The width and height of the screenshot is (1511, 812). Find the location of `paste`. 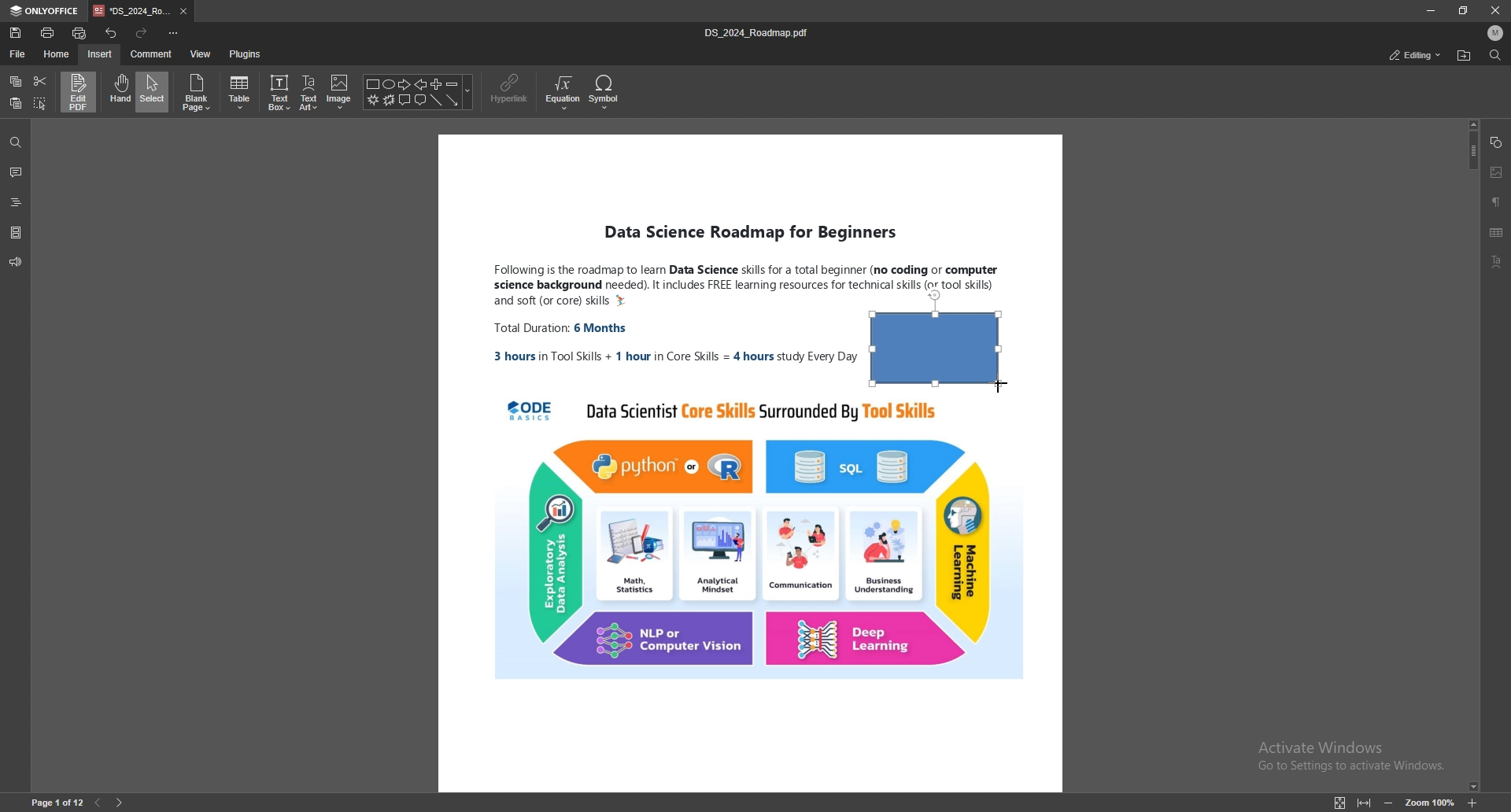

paste is located at coordinates (16, 104).